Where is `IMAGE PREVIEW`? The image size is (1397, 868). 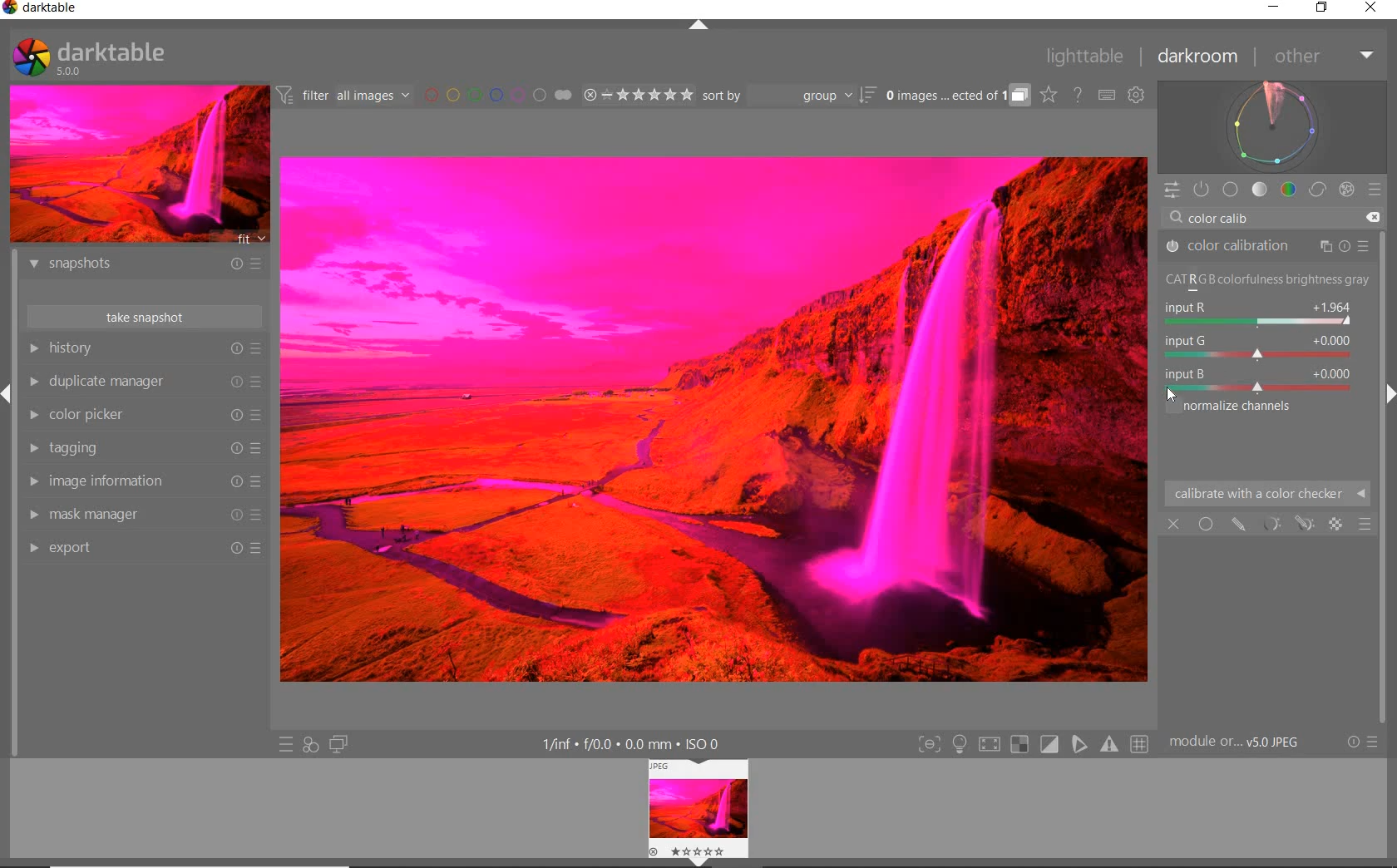 IMAGE PREVIEW is located at coordinates (137, 165).